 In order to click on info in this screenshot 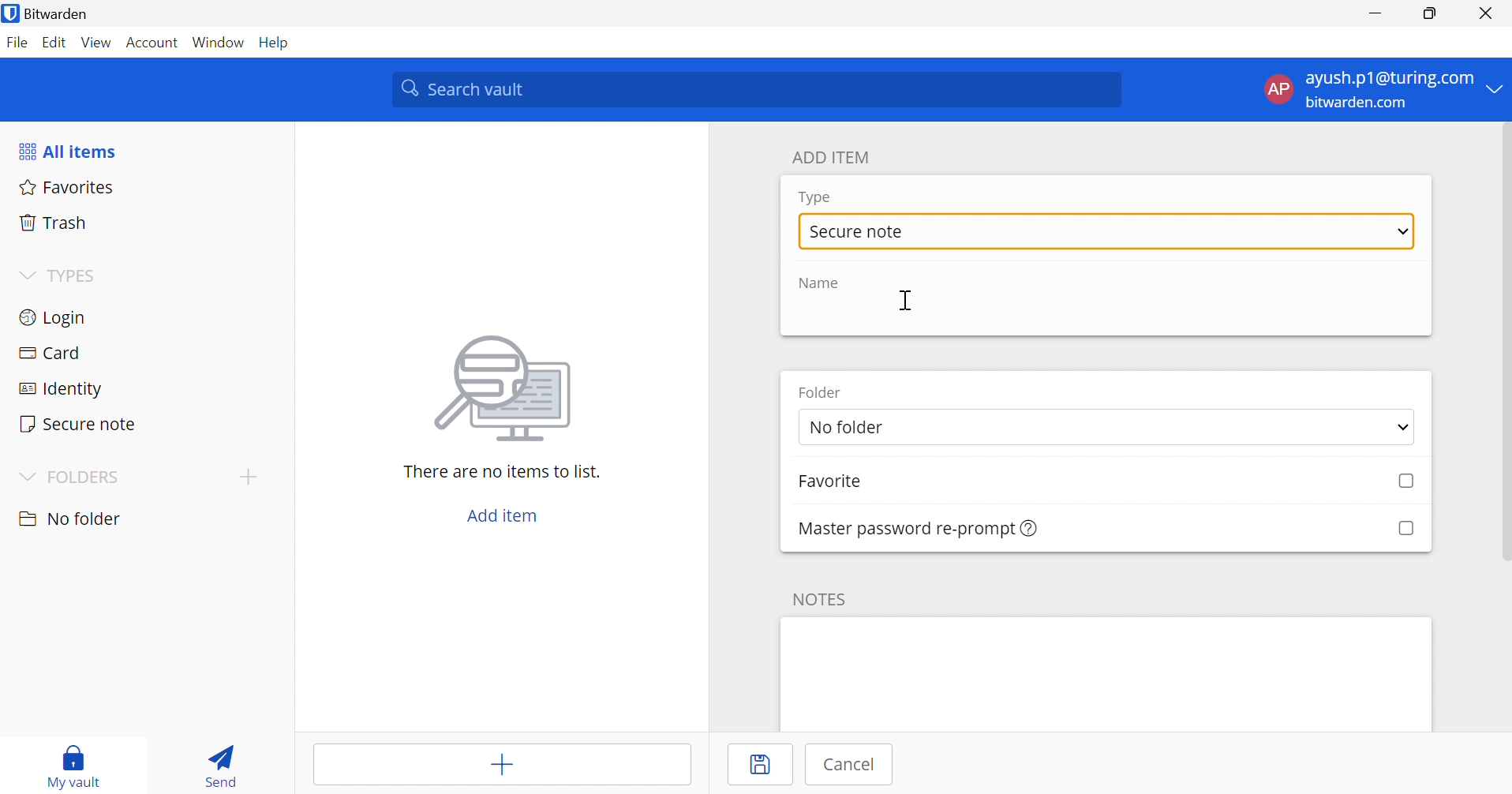, I will do `click(1030, 529)`.